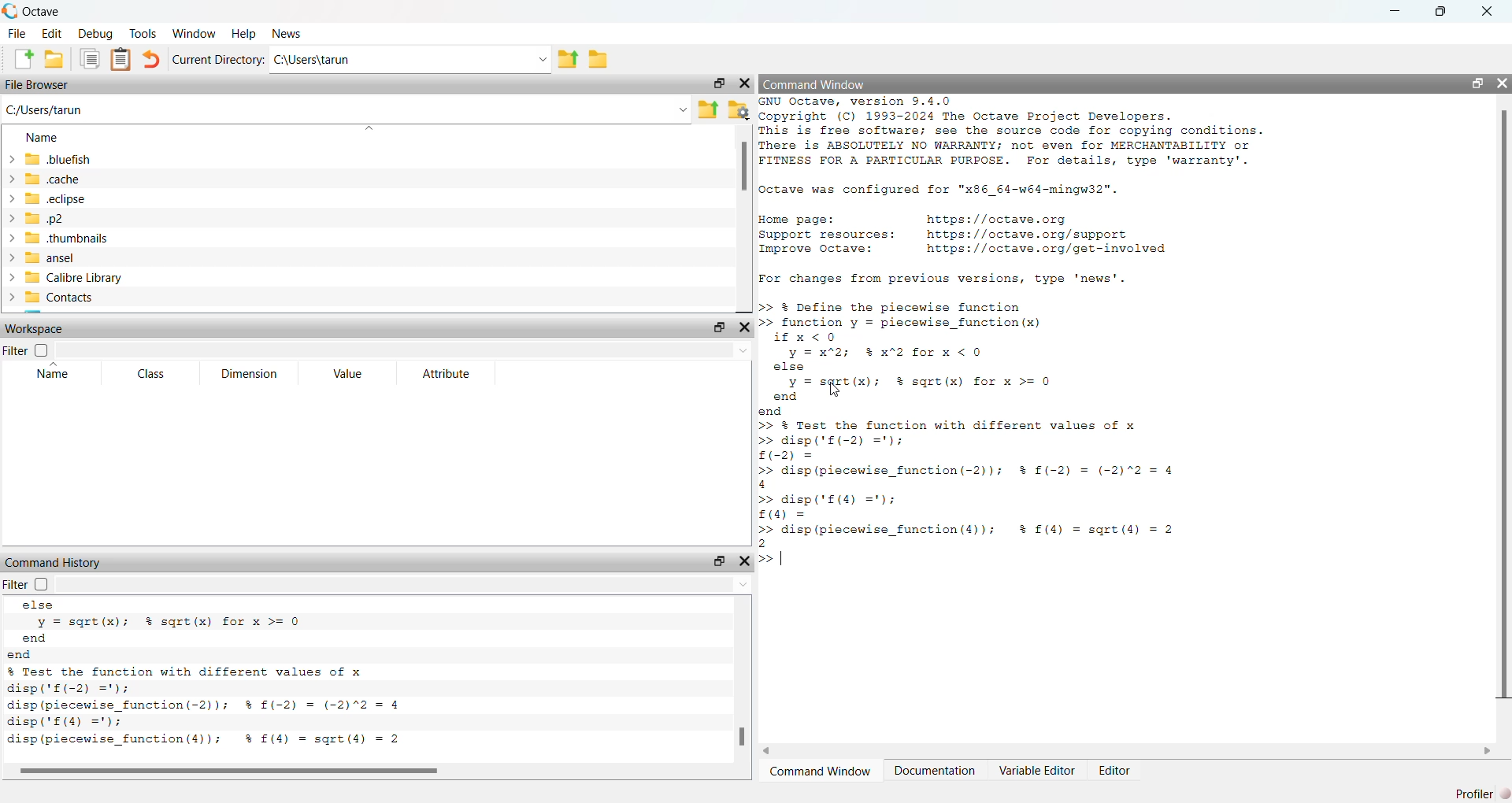 The width and height of the screenshot is (1512, 803). What do you see at coordinates (446, 373) in the screenshot?
I see `Attribute` at bounding box center [446, 373].